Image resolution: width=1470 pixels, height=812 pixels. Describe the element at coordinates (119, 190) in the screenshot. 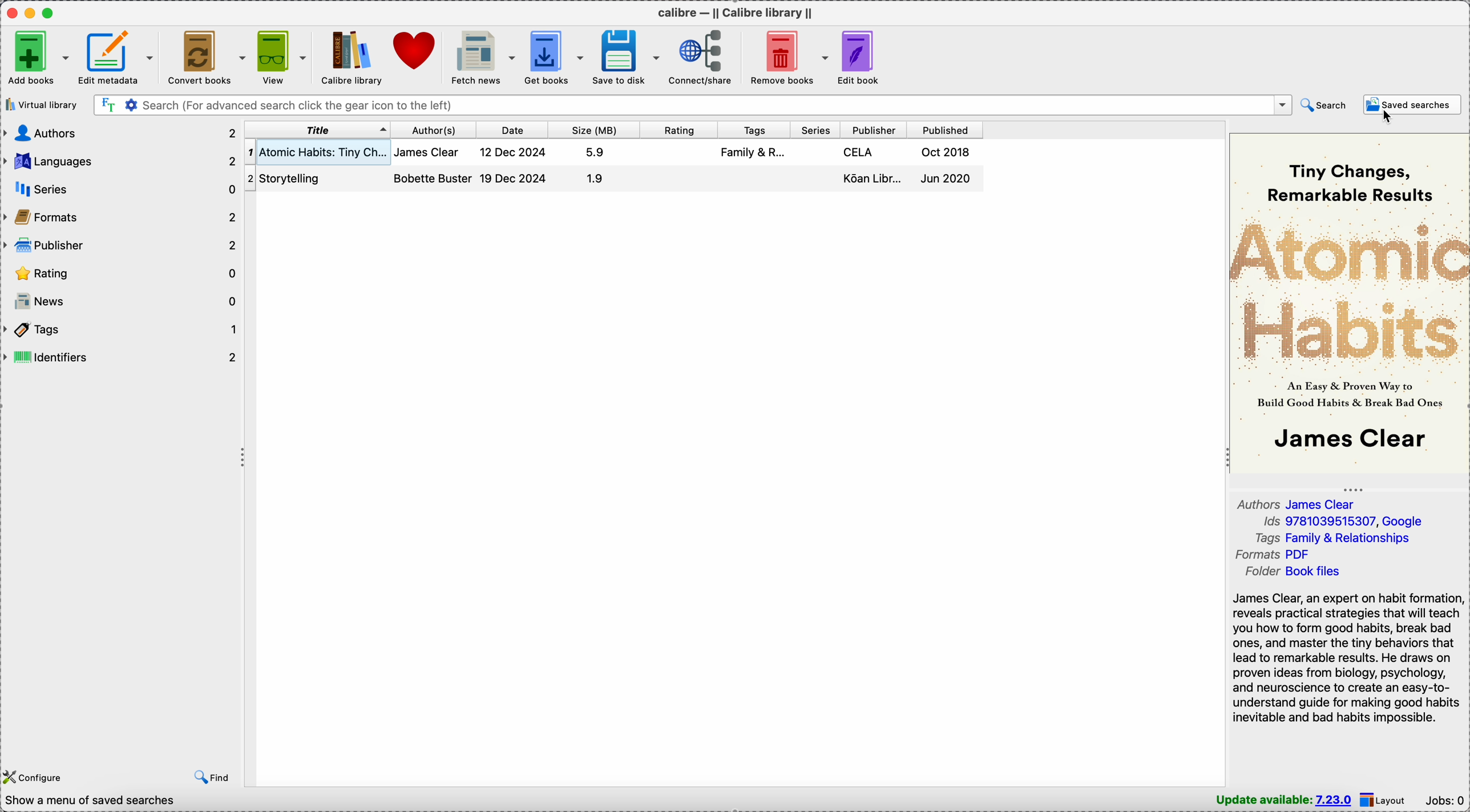

I see `series` at that location.